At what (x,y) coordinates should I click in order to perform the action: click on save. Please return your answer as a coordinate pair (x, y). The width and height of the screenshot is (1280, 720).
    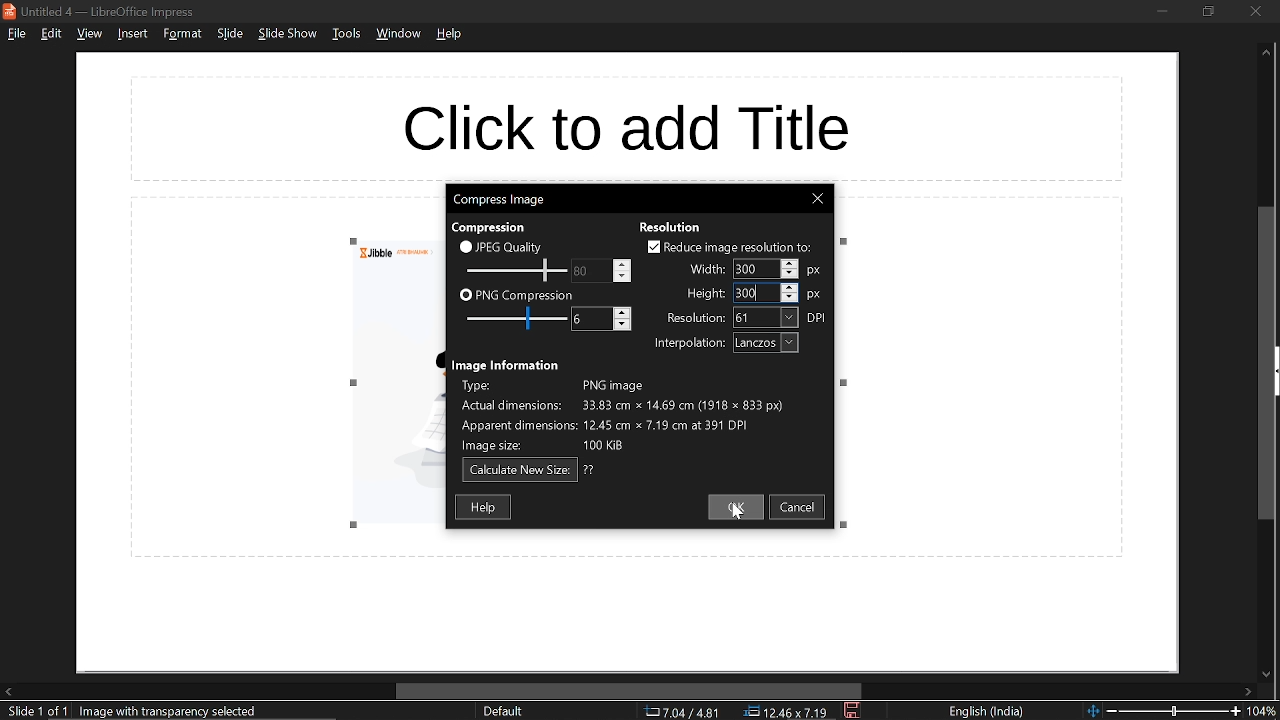
    Looking at the image, I should click on (852, 711).